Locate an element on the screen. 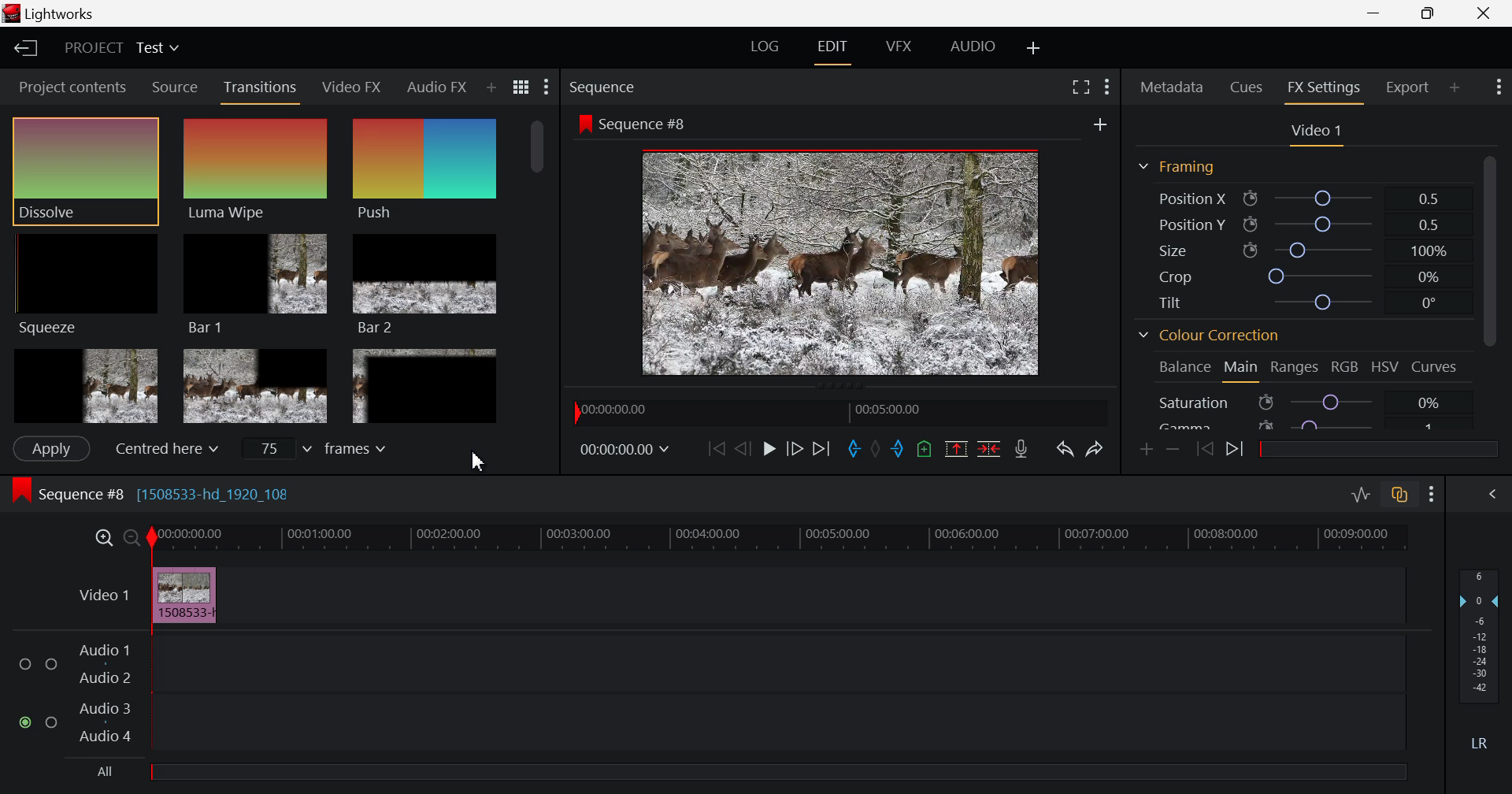 The width and height of the screenshot is (1512, 794). Push is located at coordinates (424, 171).